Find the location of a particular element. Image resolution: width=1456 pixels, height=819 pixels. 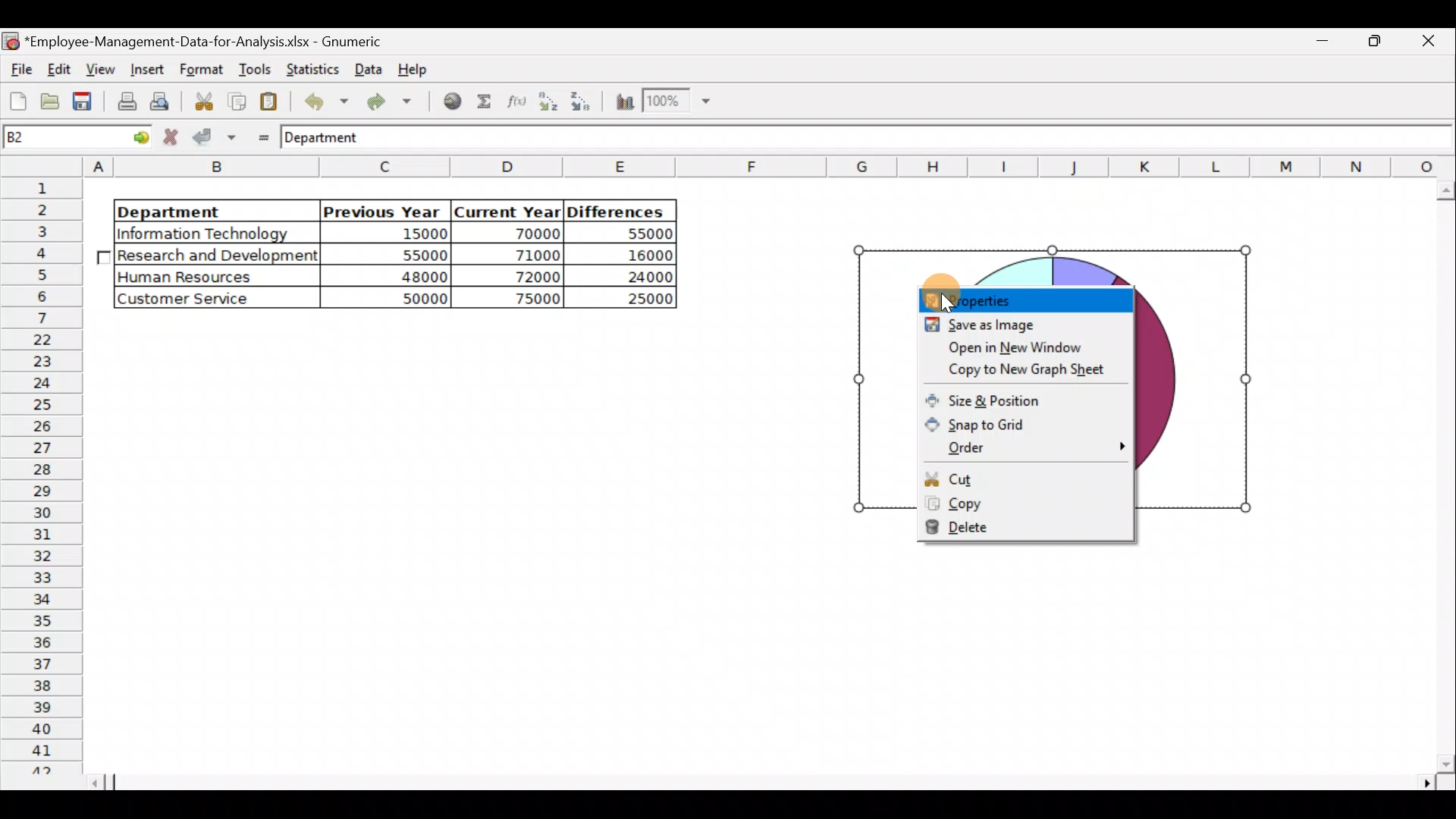

Open a file is located at coordinates (49, 104).